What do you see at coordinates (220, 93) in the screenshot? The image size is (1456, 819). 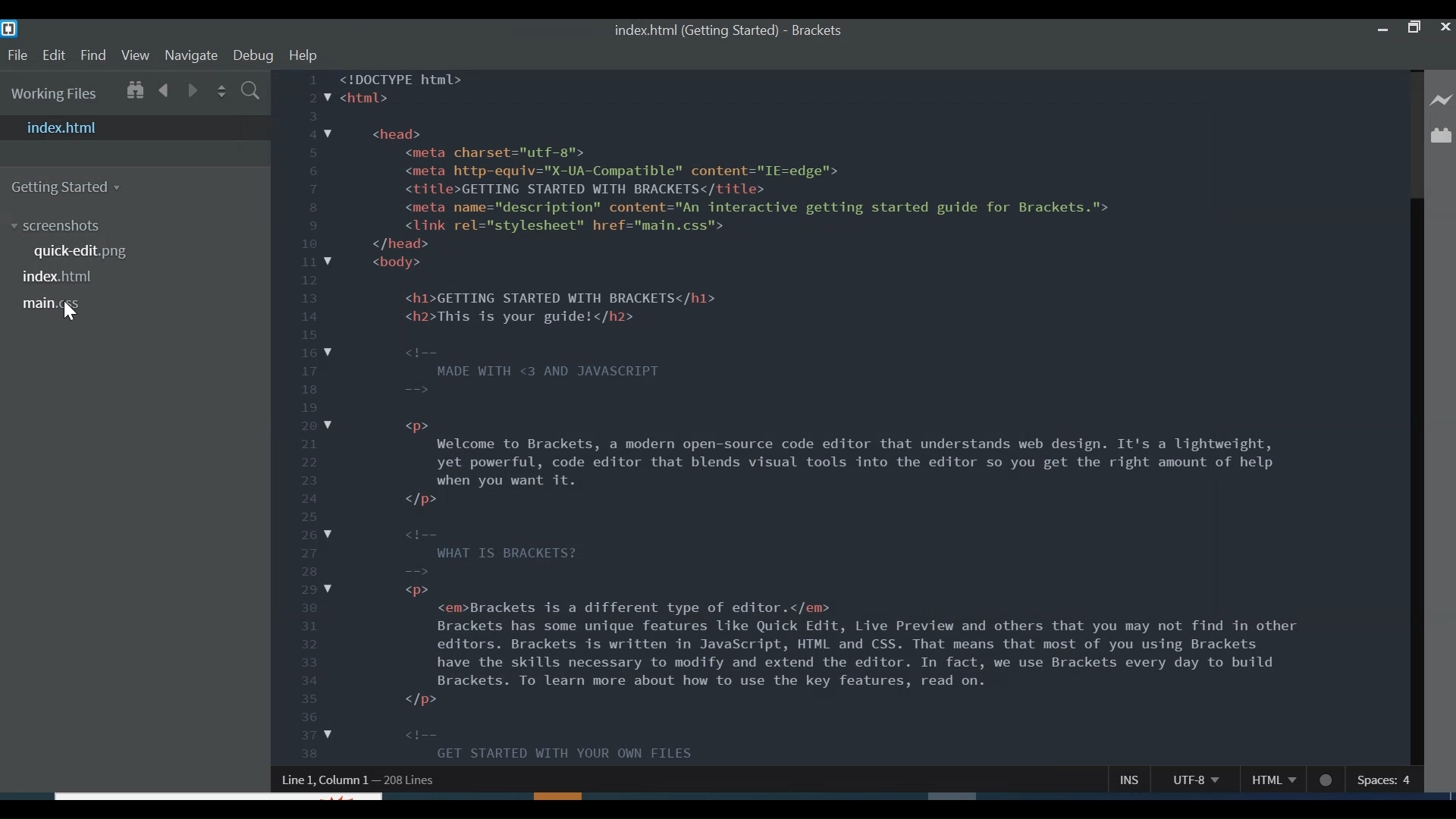 I see `Split the editor vertically or horizontally` at bounding box center [220, 93].